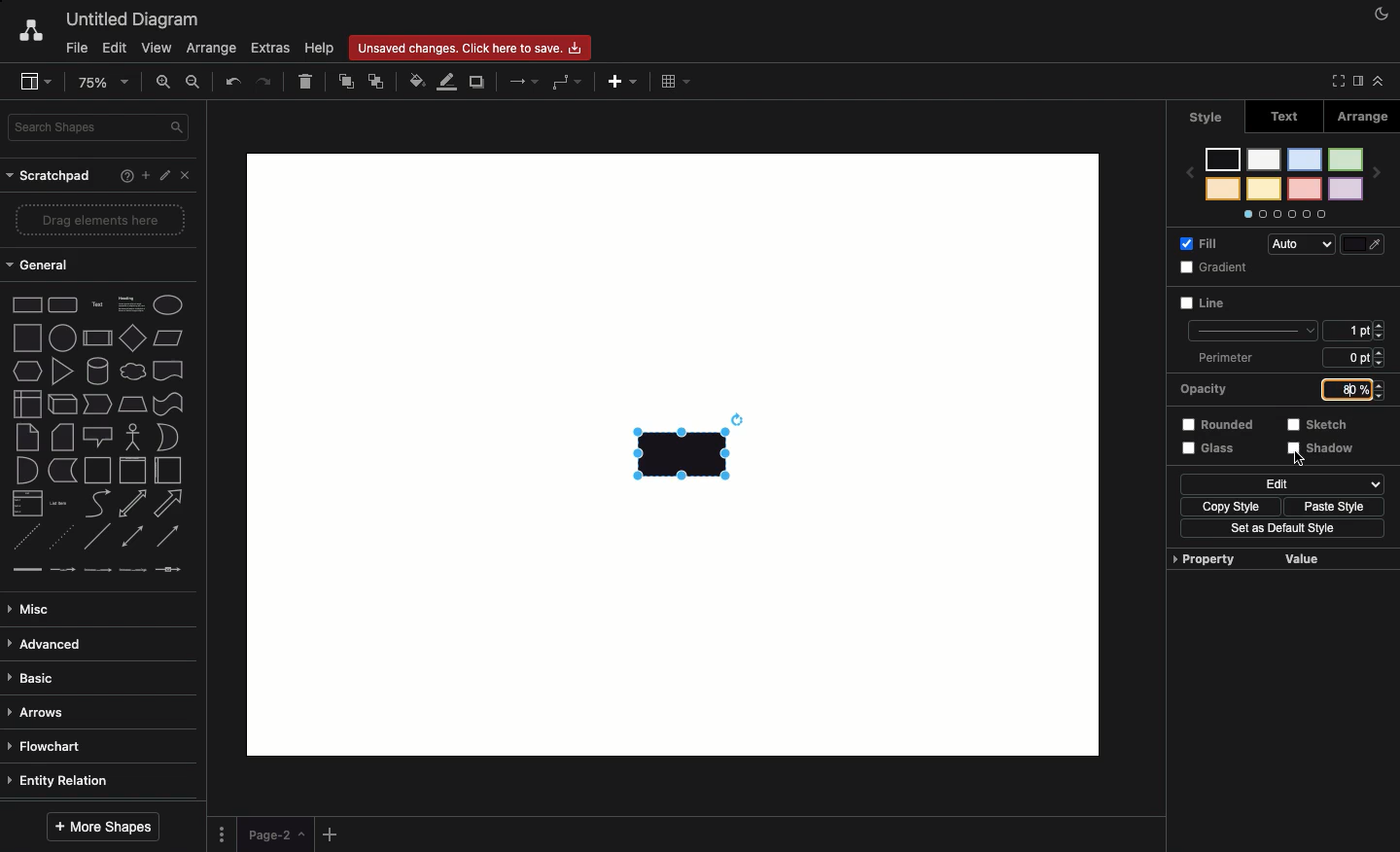  What do you see at coordinates (166, 337) in the screenshot?
I see `Parallelogram` at bounding box center [166, 337].